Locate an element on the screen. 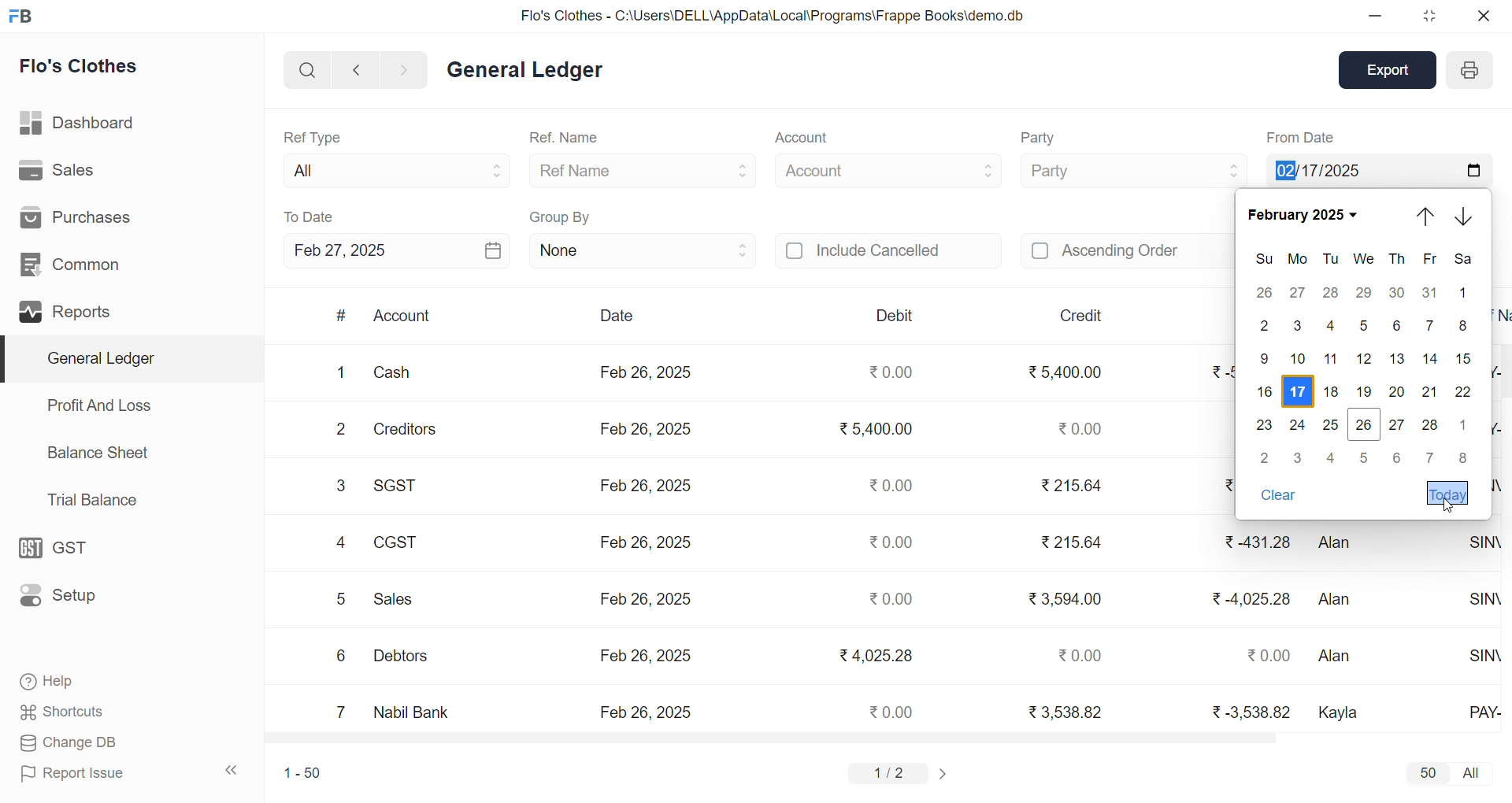 This screenshot has width=1512, height=803. 28 is located at coordinates (1431, 426).